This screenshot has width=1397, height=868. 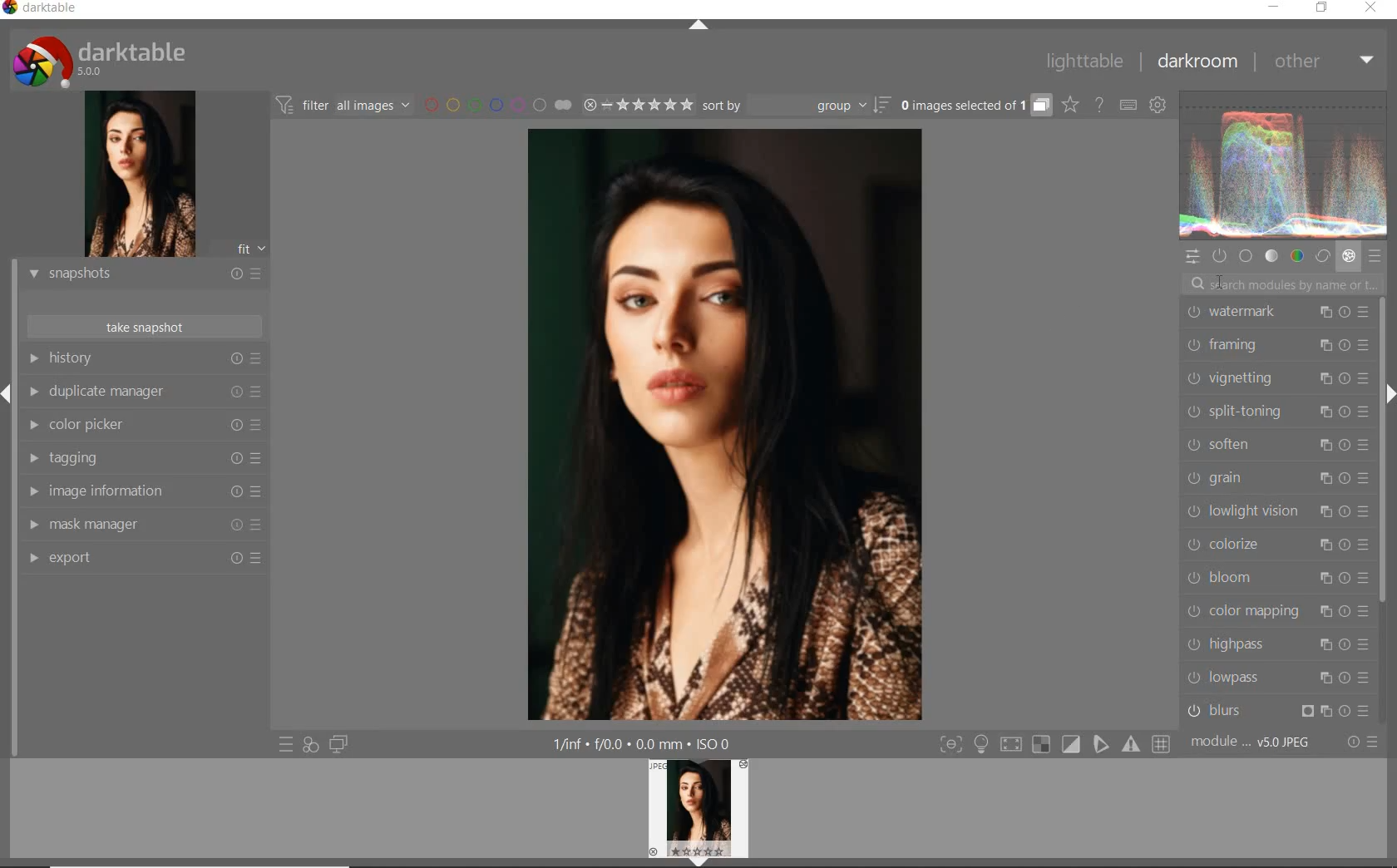 I want to click on split-toning, so click(x=1277, y=412).